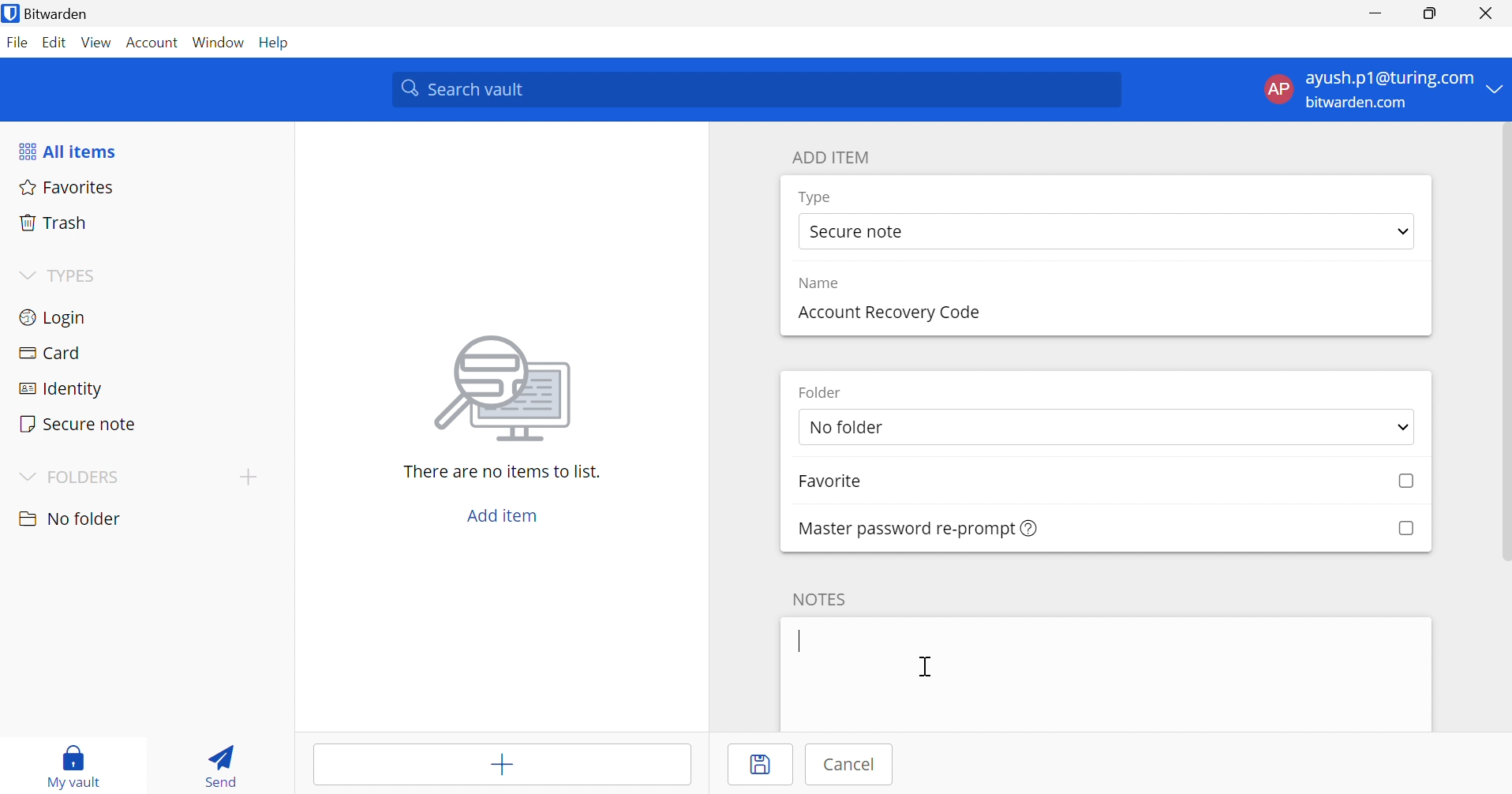 This screenshot has height=794, width=1512. Describe the element at coordinates (250, 477) in the screenshot. I see `Create folder` at that location.